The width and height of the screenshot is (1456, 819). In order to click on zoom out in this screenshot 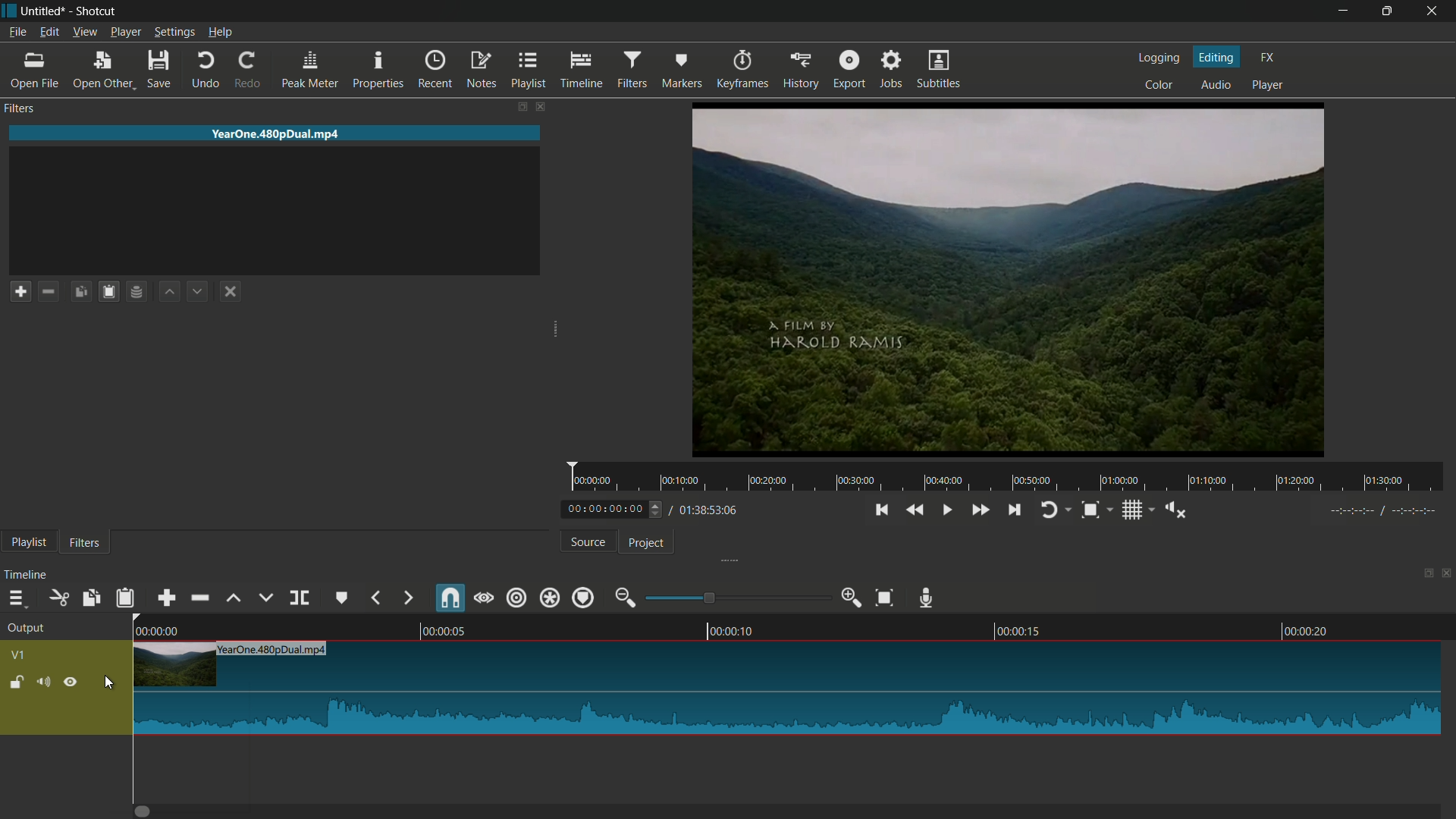, I will do `click(624, 598)`.